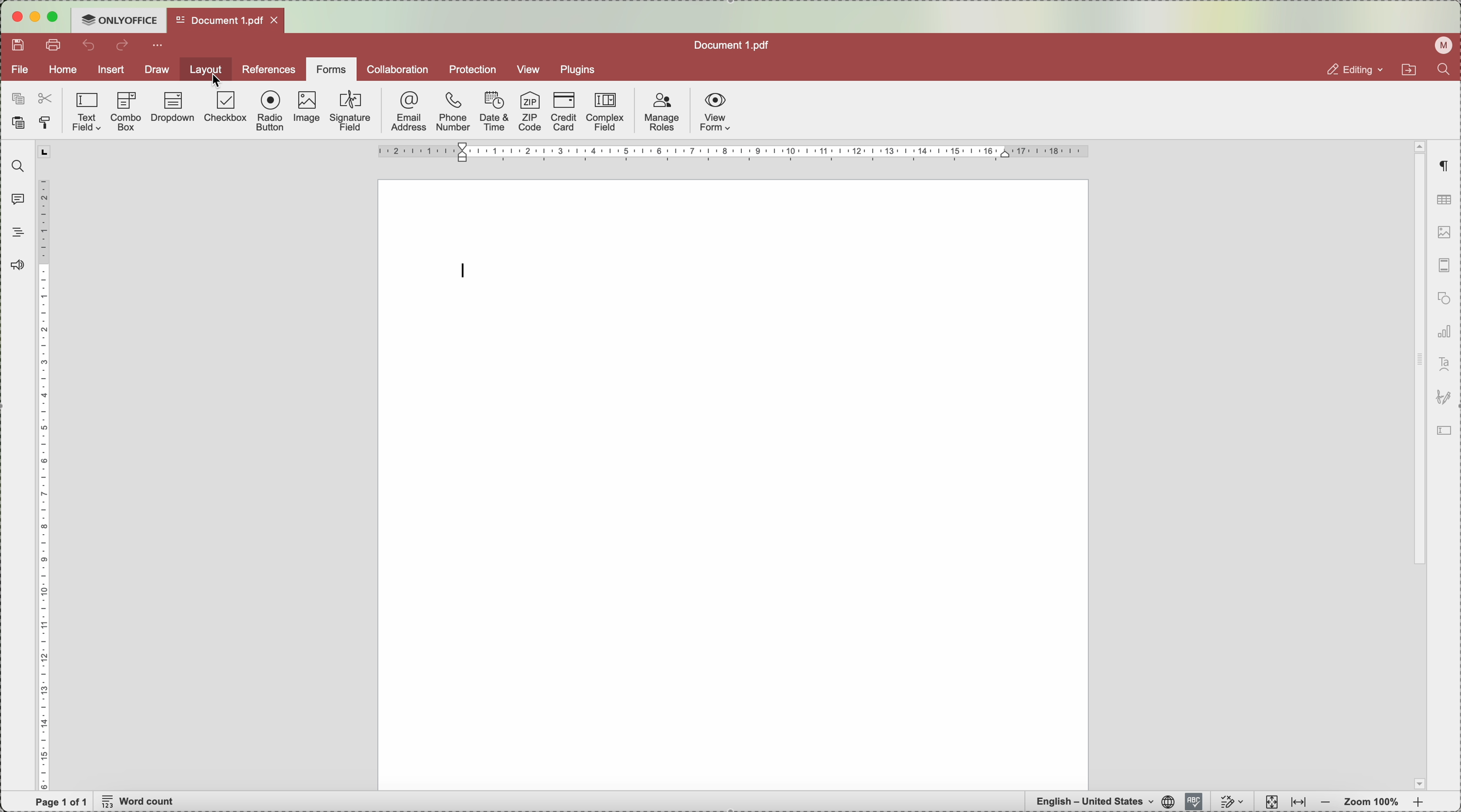 The height and width of the screenshot is (812, 1461). Describe the element at coordinates (406, 112) in the screenshot. I see `email address` at that location.